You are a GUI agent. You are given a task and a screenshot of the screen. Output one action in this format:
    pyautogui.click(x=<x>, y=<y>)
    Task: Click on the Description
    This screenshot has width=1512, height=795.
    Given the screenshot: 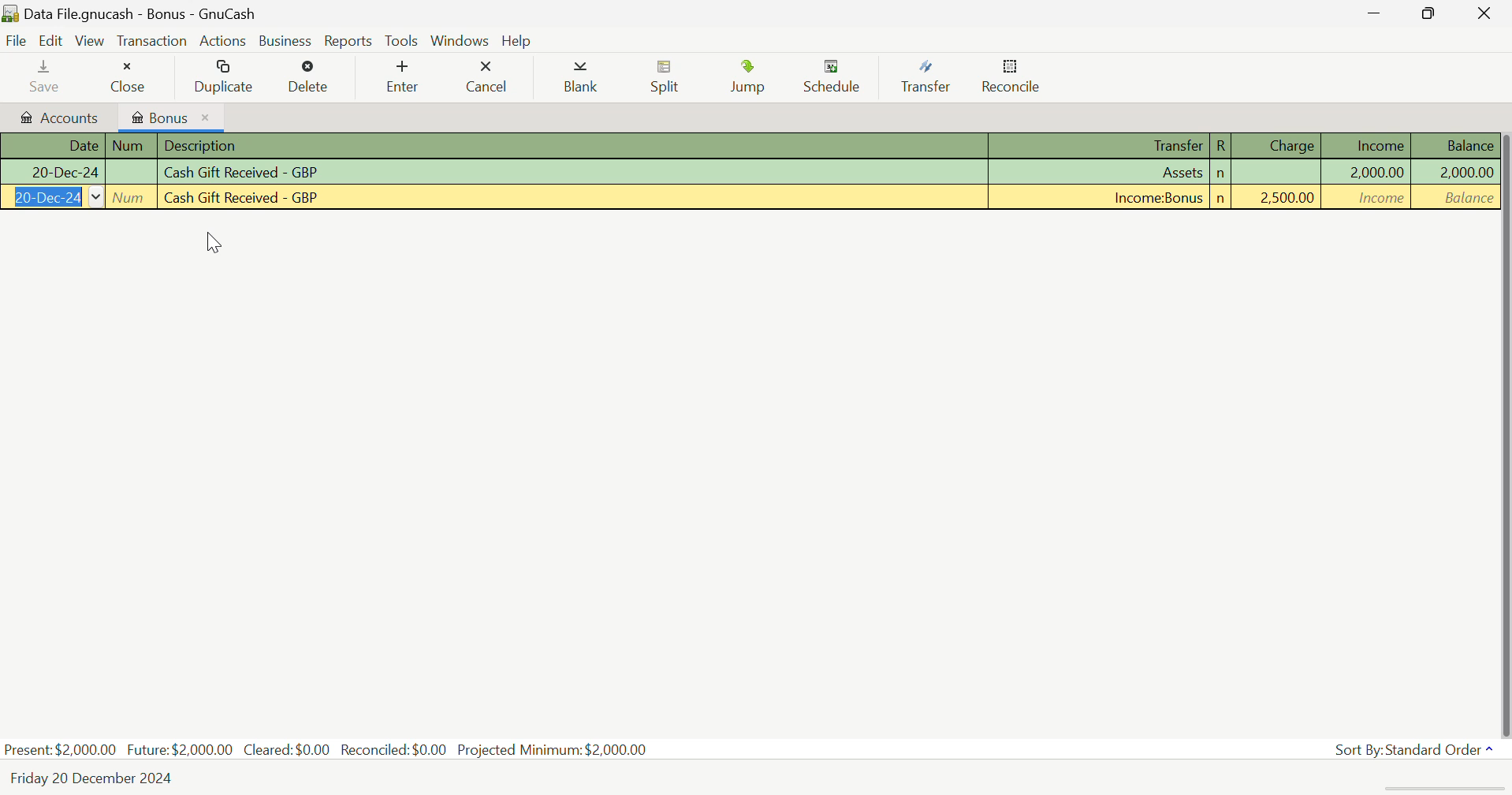 What is the action you would take?
    pyautogui.click(x=574, y=147)
    